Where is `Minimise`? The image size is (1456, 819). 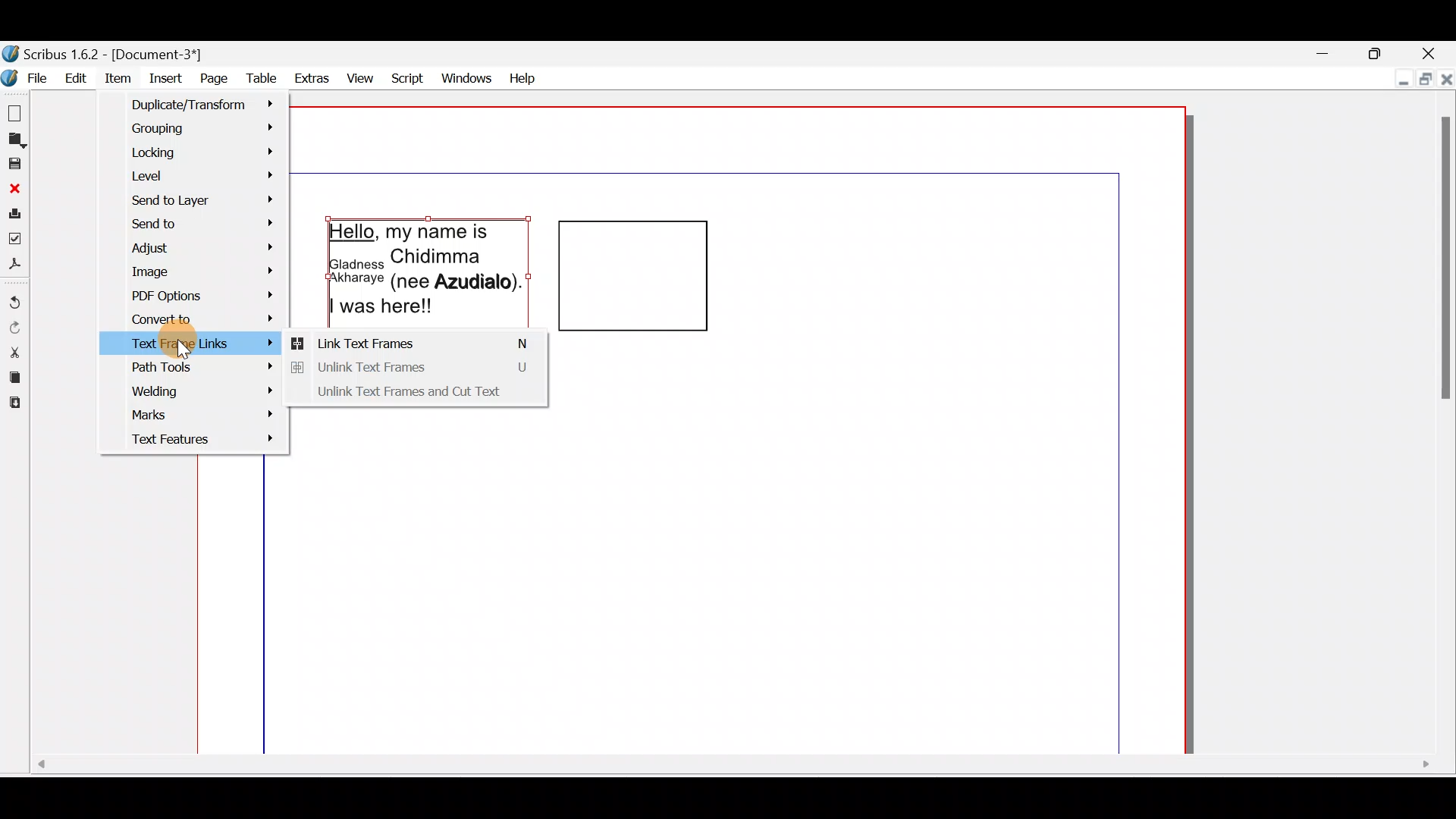 Minimise is located at coordinates (1400, 76).